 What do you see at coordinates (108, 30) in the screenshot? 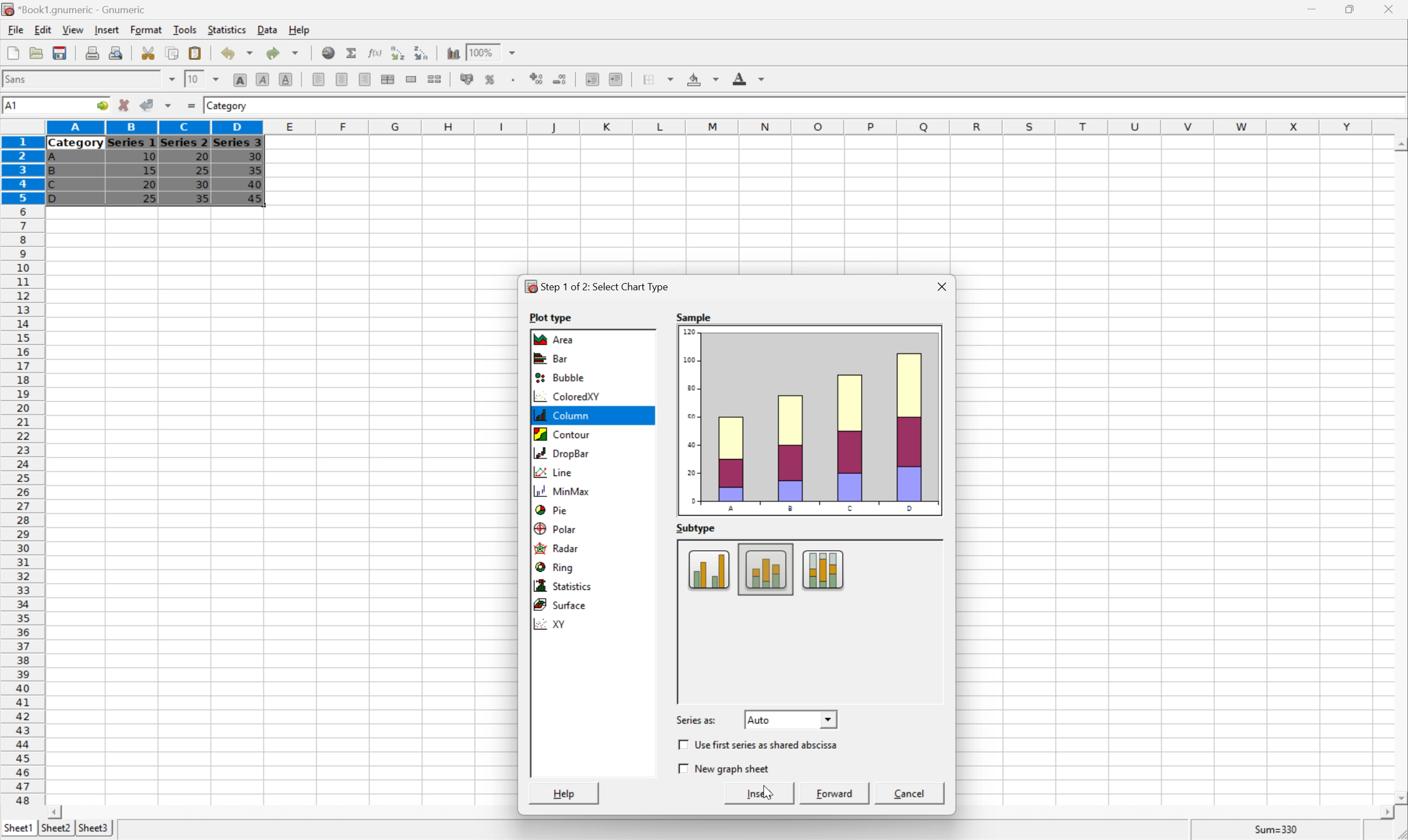
I see `Insert` at bounding box center [108, 30].